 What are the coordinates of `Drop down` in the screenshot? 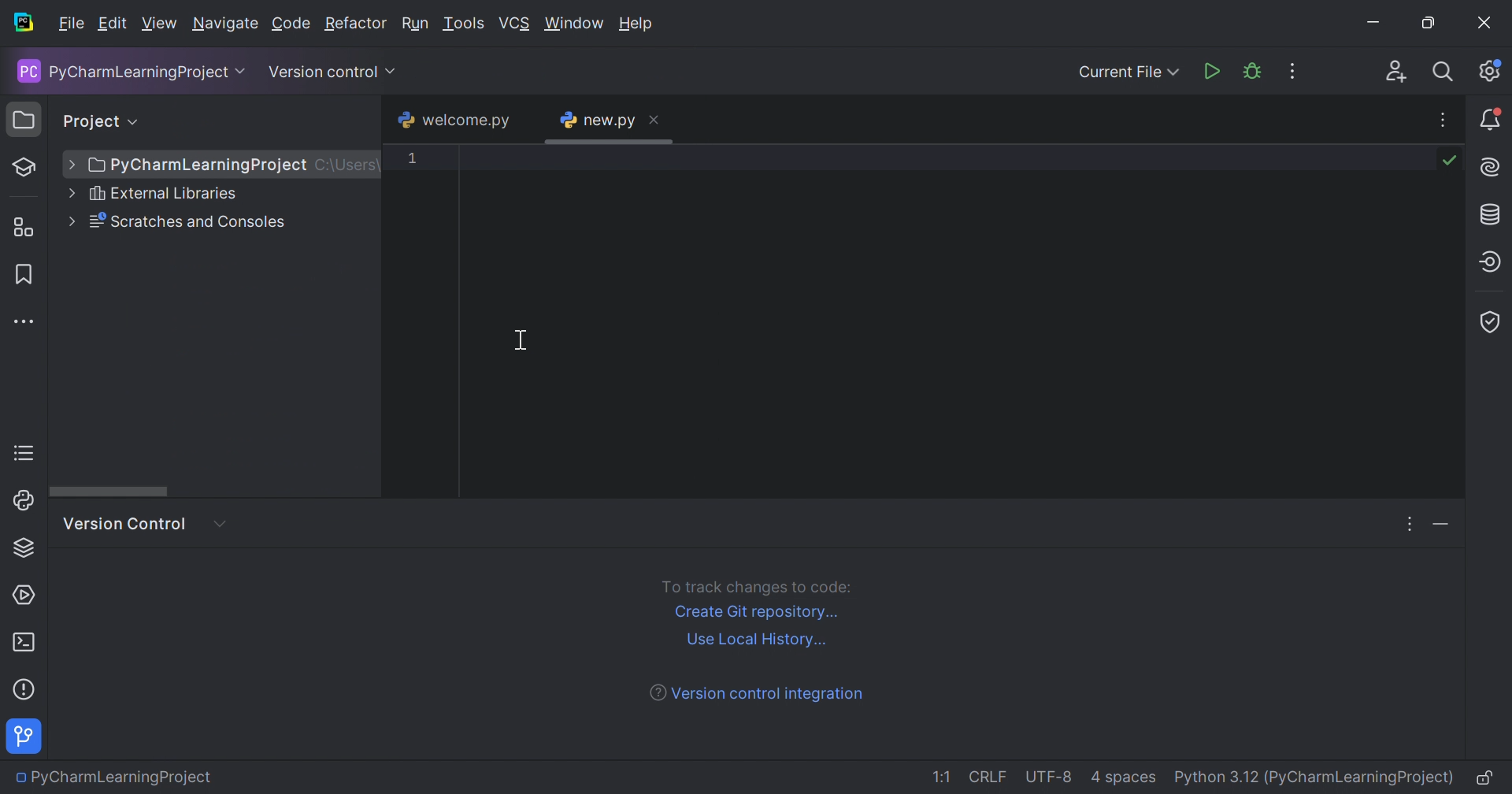 It's located at (71, 193).